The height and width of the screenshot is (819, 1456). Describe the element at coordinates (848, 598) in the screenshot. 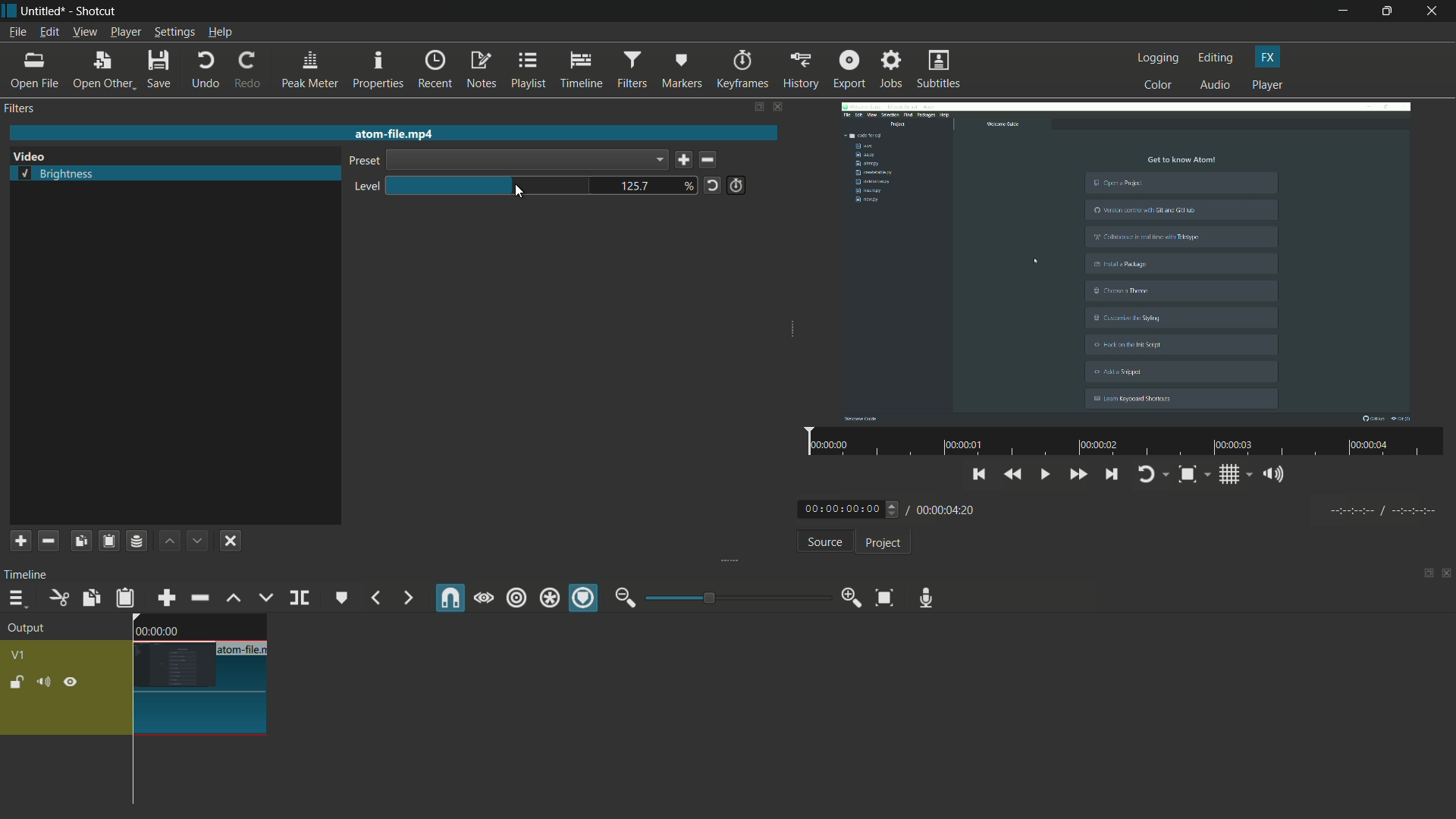

I see `zoom in` at that location.